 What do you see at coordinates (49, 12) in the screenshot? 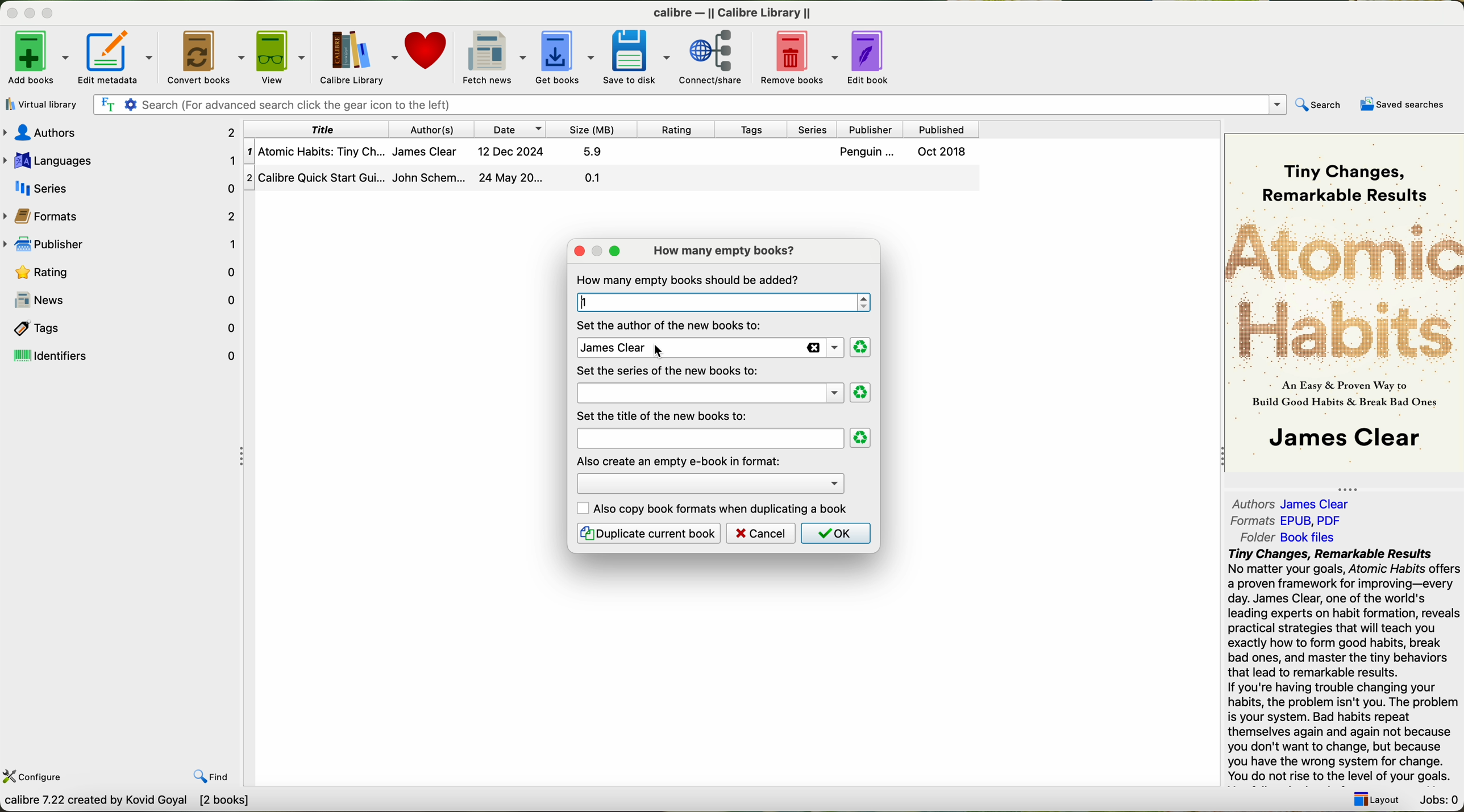
I see `maximize` at bounding box center [49, 12].